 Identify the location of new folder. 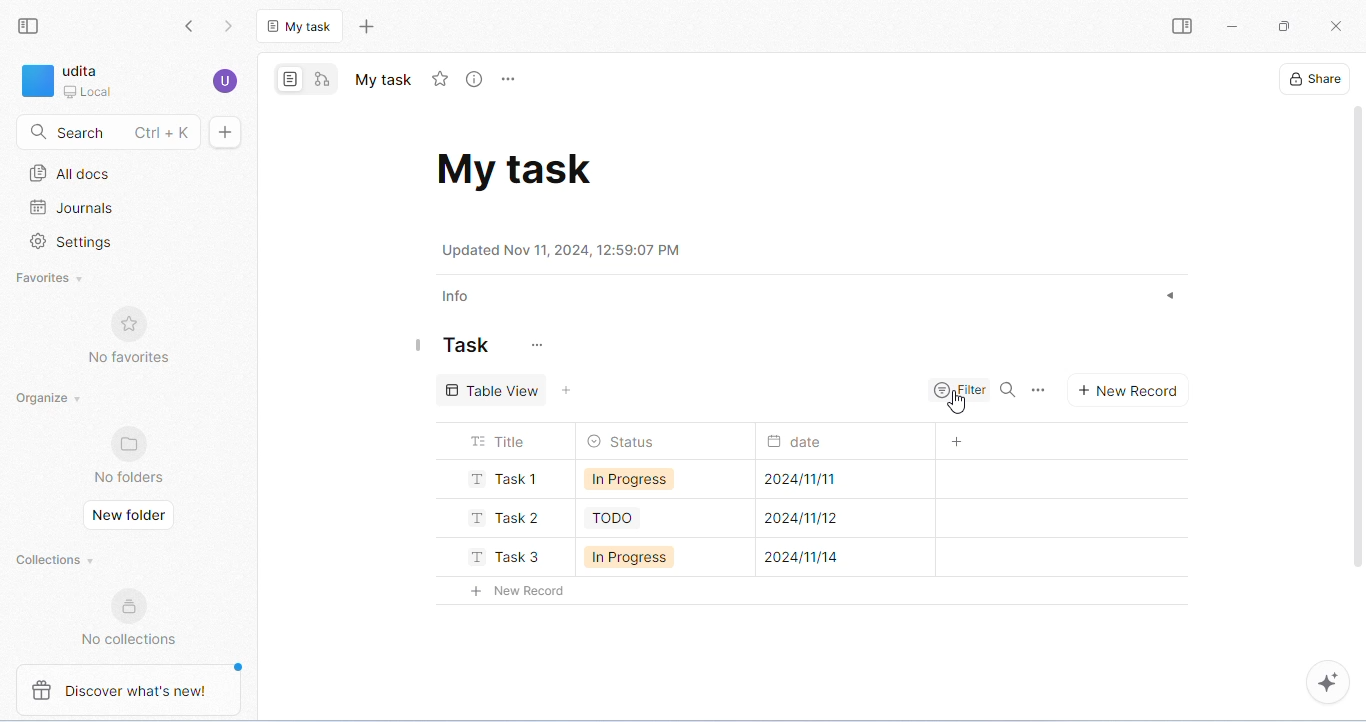
(128, 514).